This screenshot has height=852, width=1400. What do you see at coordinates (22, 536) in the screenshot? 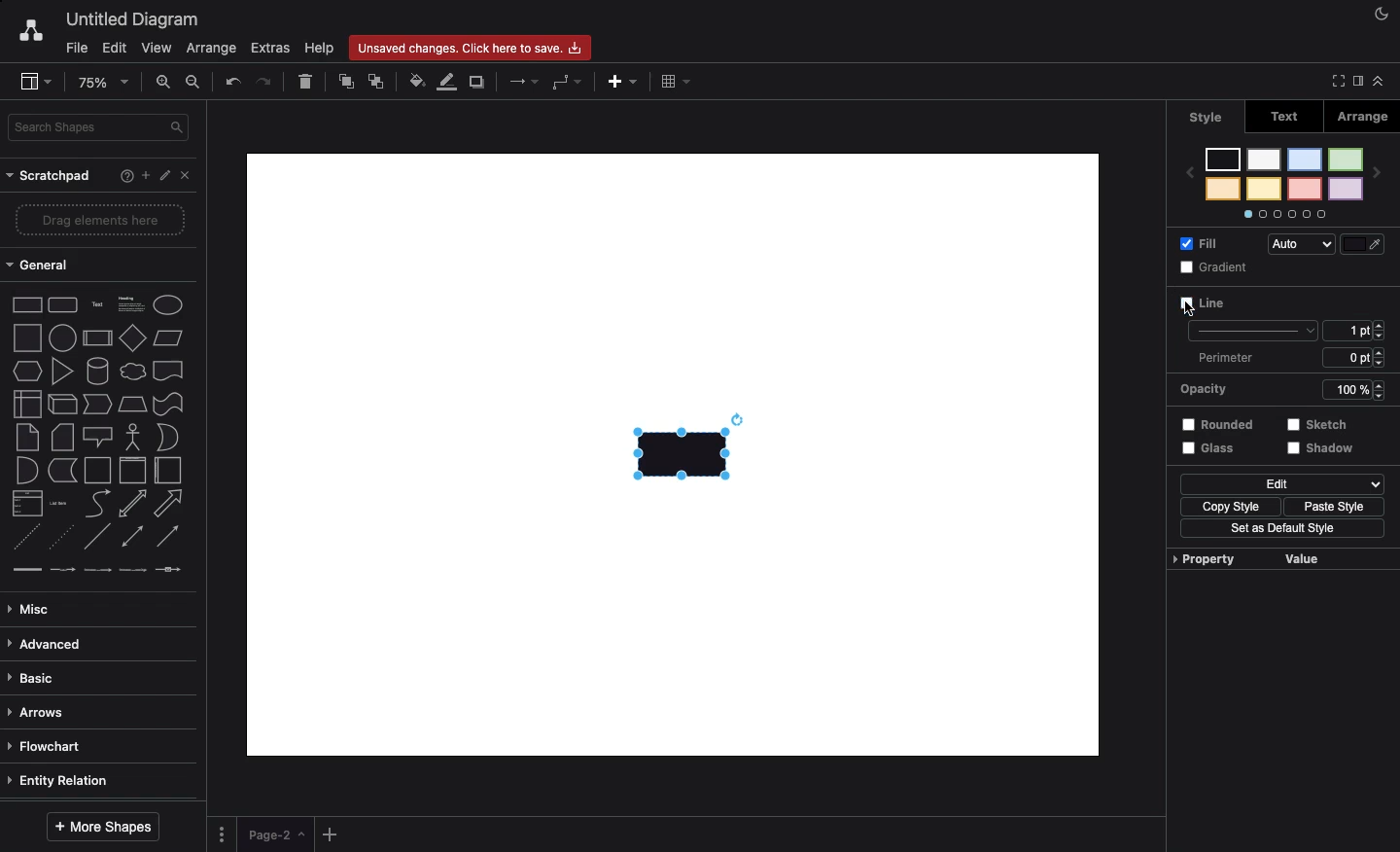
I see `dashed line` at bounding box center [22, 536].